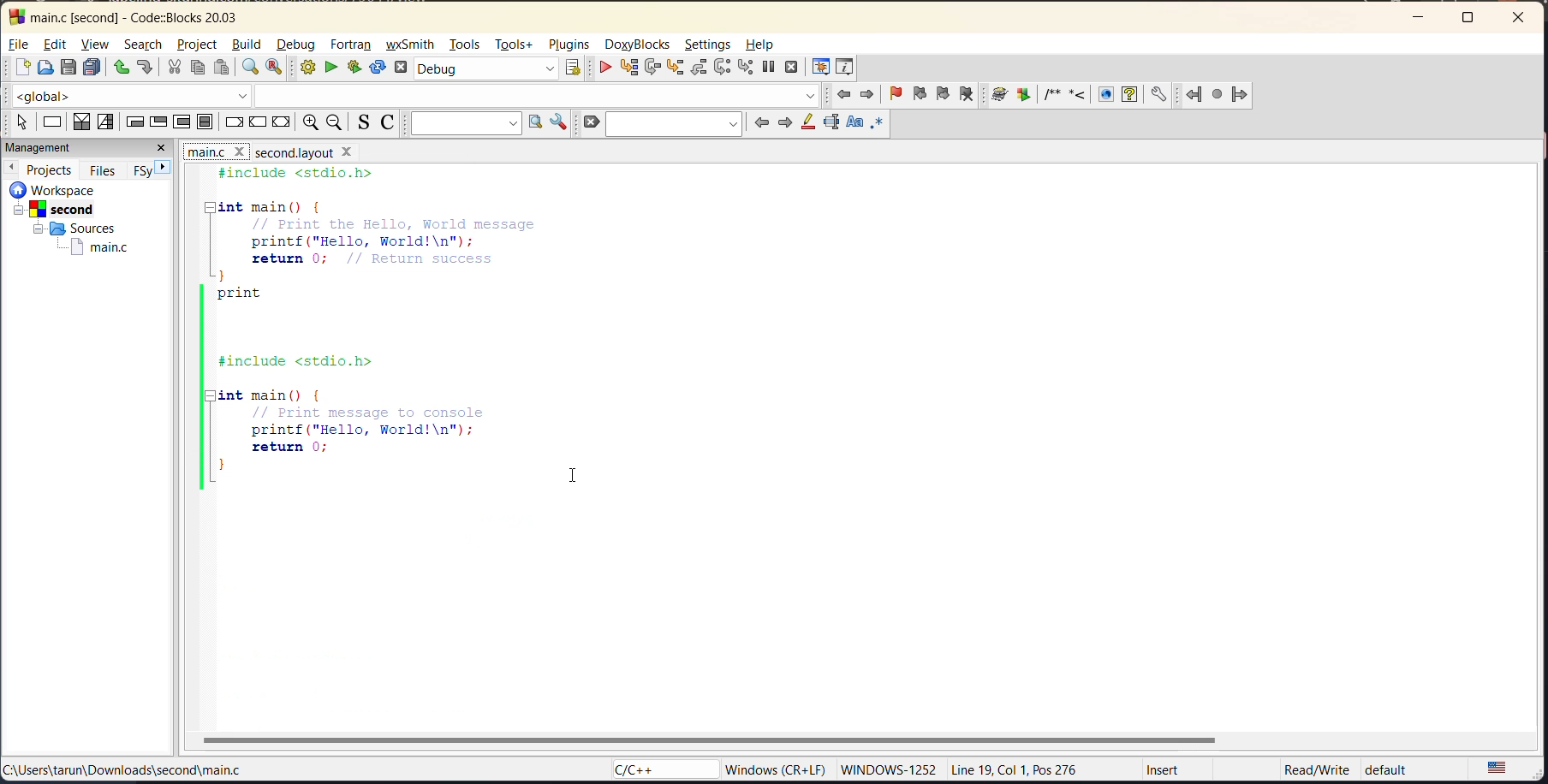 The image size is (1548, 784). I want to click on close, so click(162, 147).